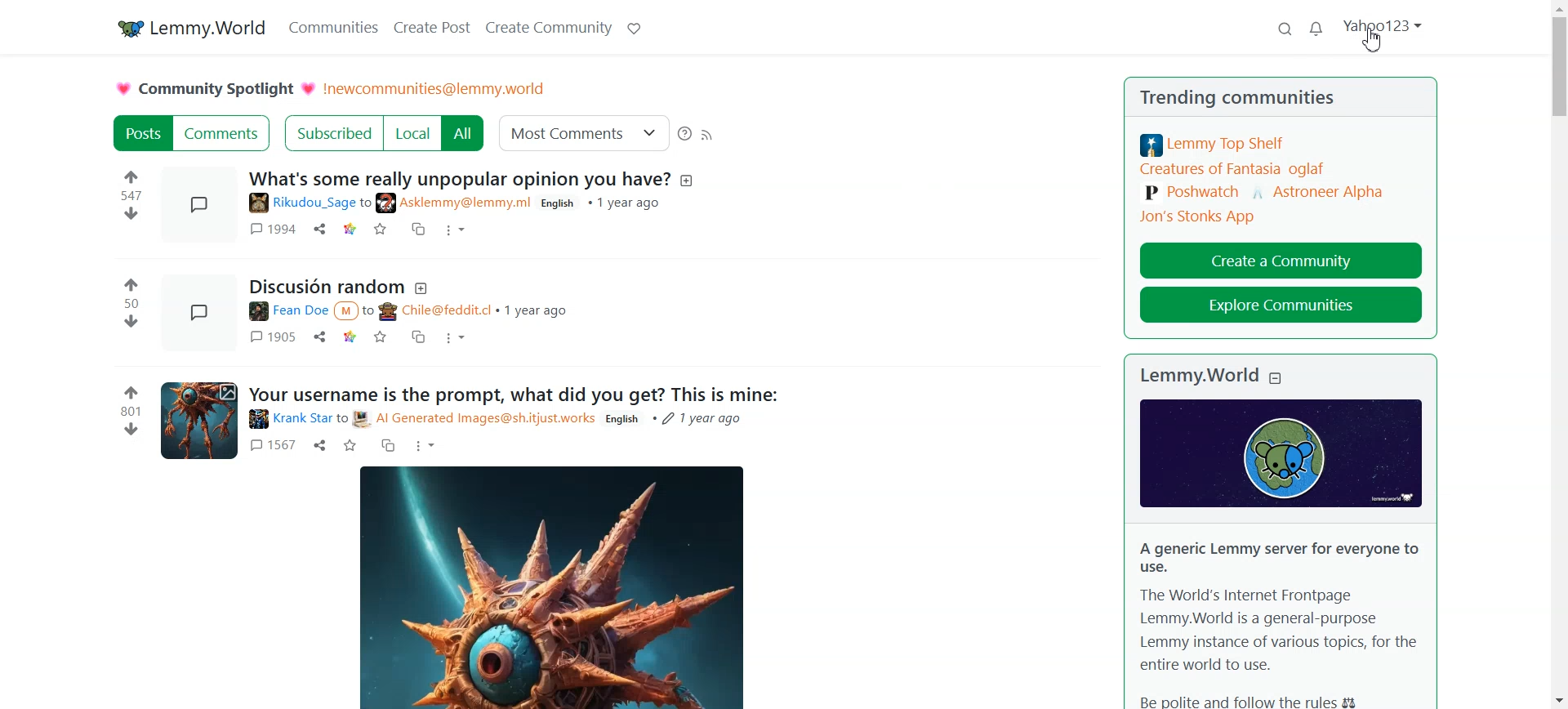 The width and height of the screenshot is (1568, 709). I want to click on RSS, so click(708, 133).